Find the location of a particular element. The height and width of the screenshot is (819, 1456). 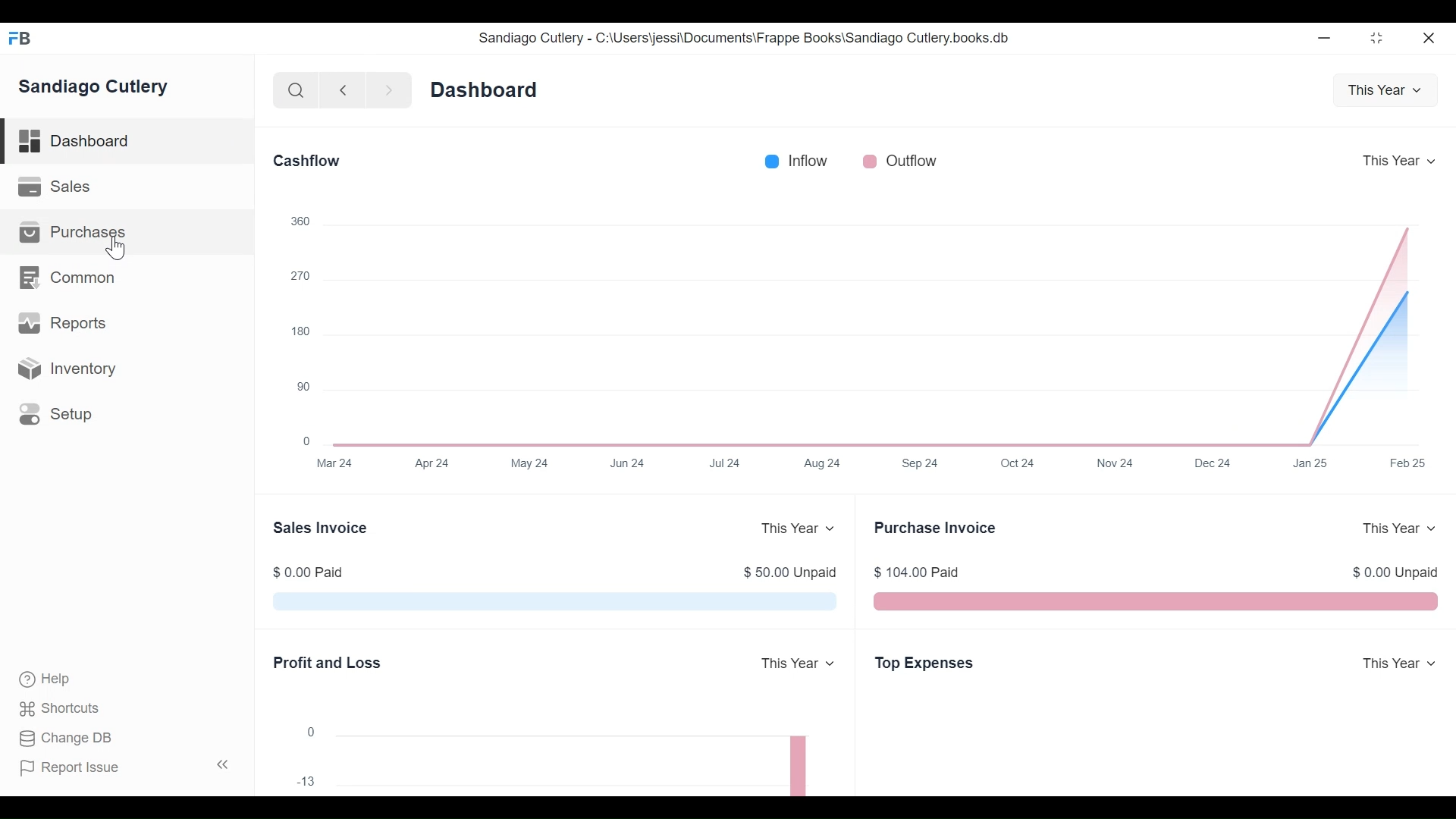

Inflow color bar is located at coordinates (770, 160).